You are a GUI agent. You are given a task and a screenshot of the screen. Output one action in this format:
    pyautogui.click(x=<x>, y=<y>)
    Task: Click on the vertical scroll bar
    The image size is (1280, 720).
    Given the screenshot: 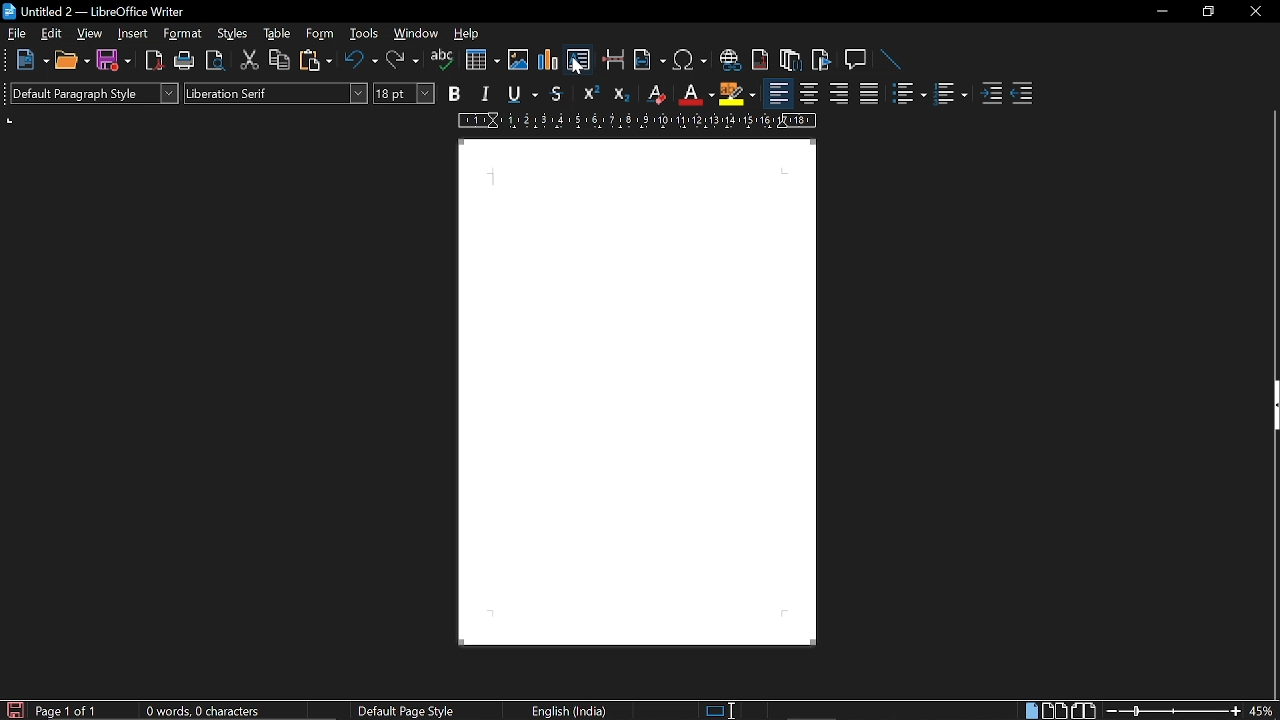 What is the action you would take?
    pyautogui.click(x=1272, y=242)
    